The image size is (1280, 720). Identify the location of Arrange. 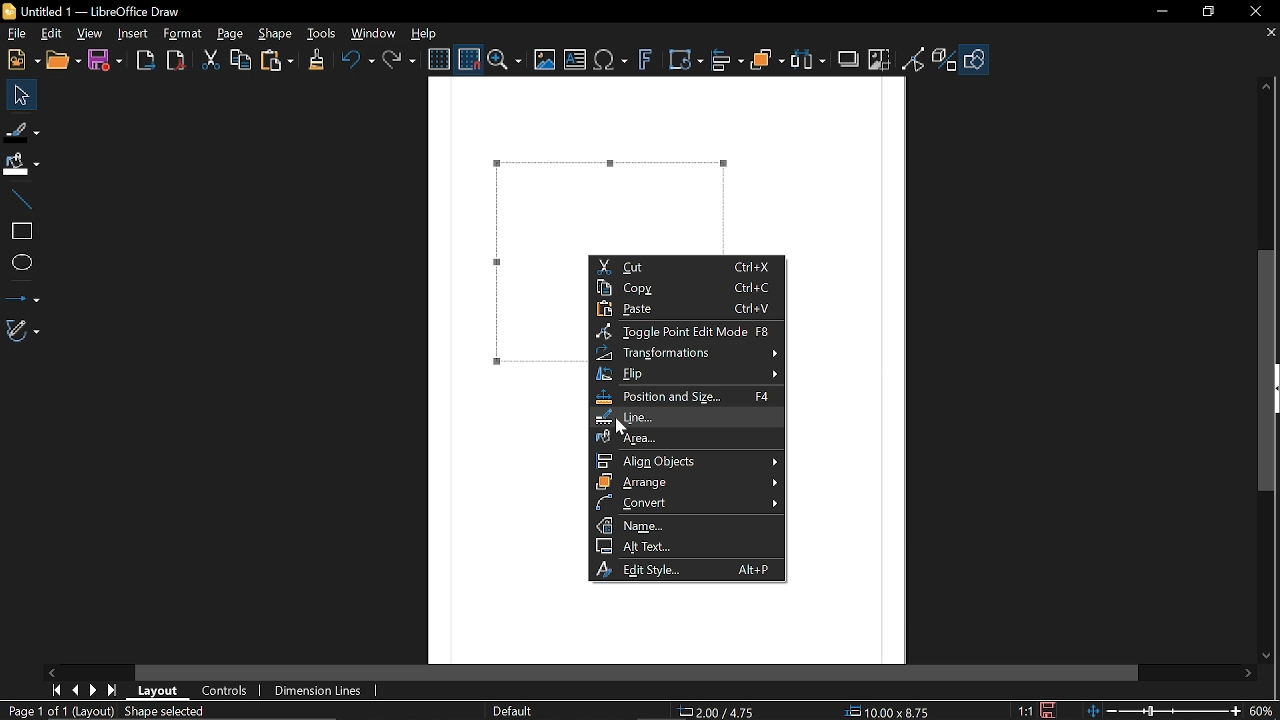
(684, 481).